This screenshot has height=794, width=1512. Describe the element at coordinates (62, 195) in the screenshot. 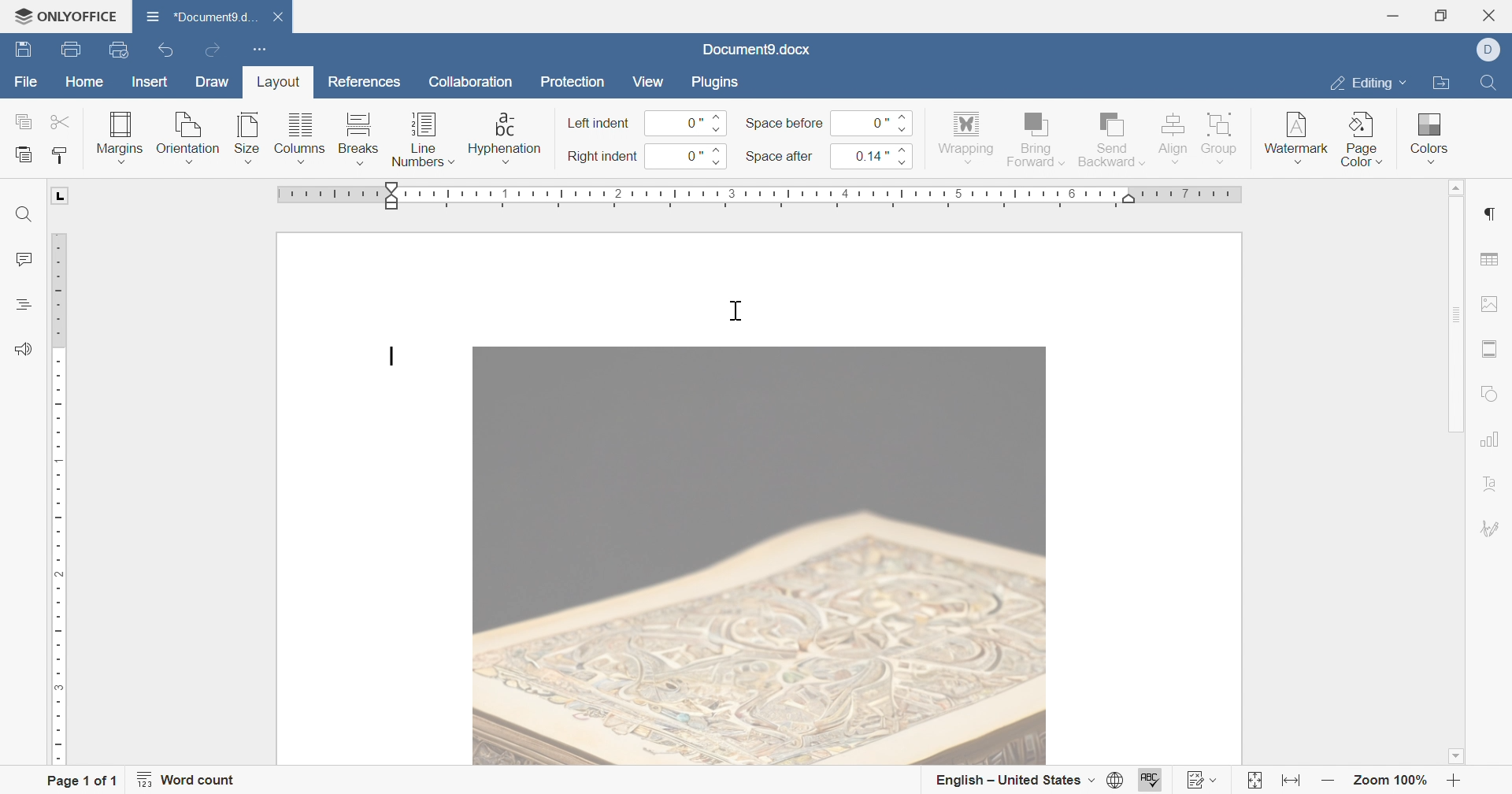

I see `L` at that location.